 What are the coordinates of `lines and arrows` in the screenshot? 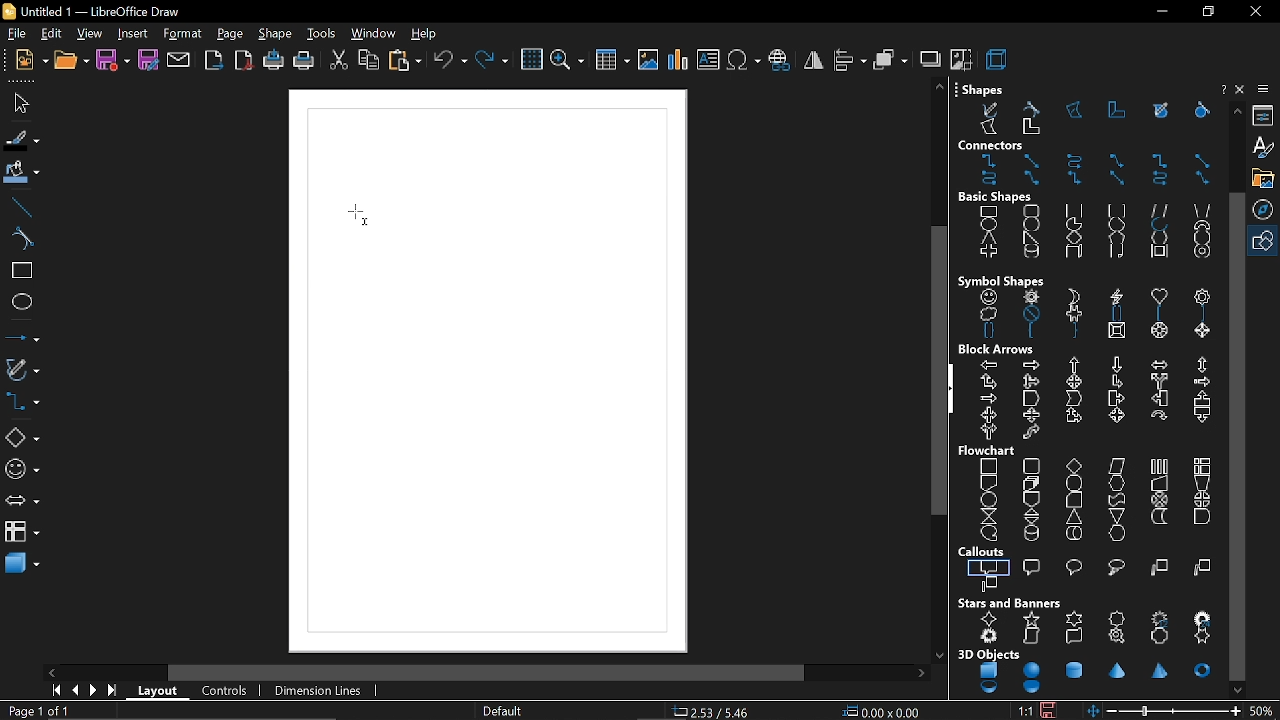 It's located at (20, 334).